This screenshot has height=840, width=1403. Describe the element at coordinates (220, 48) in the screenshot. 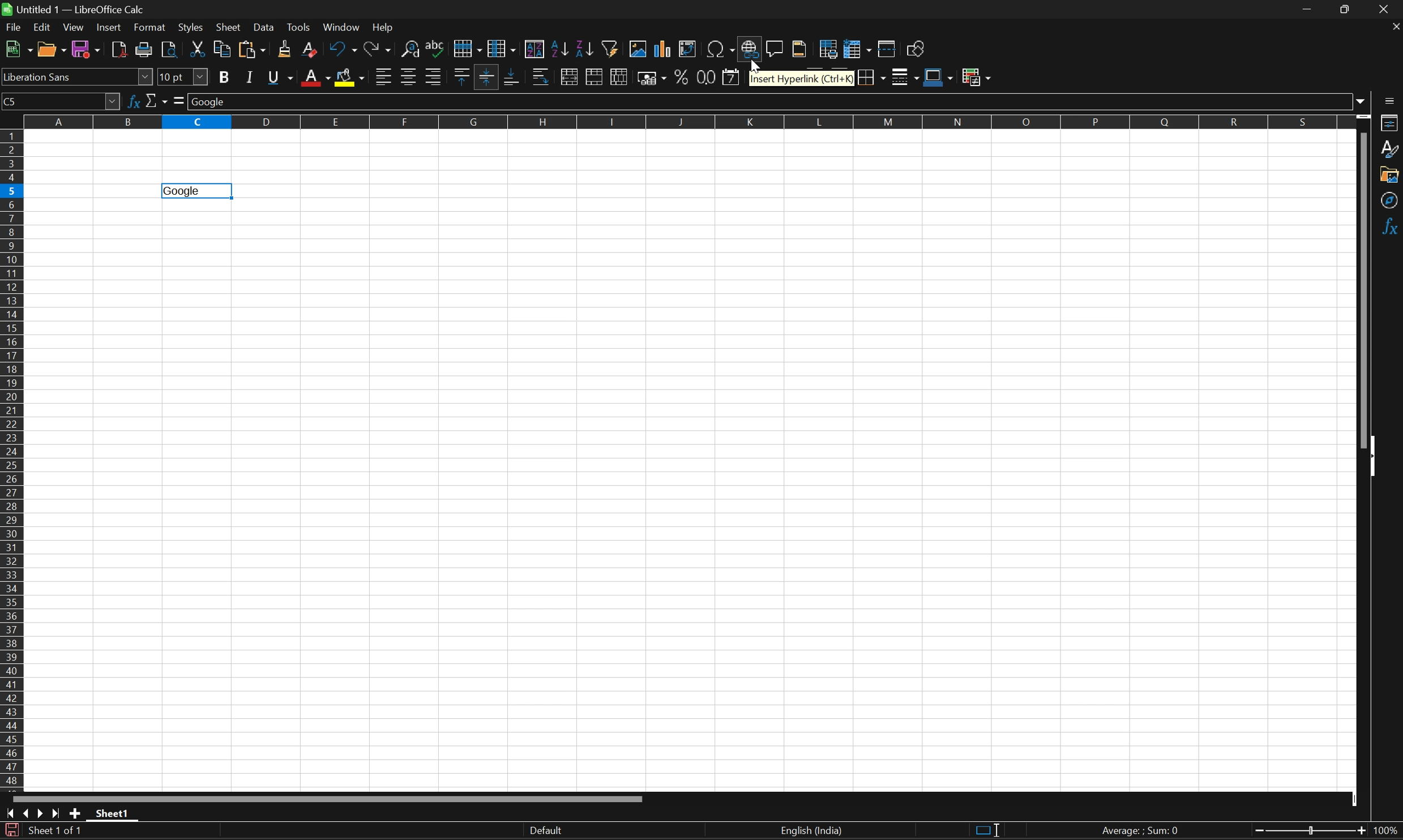

I see `Copy` at that location.